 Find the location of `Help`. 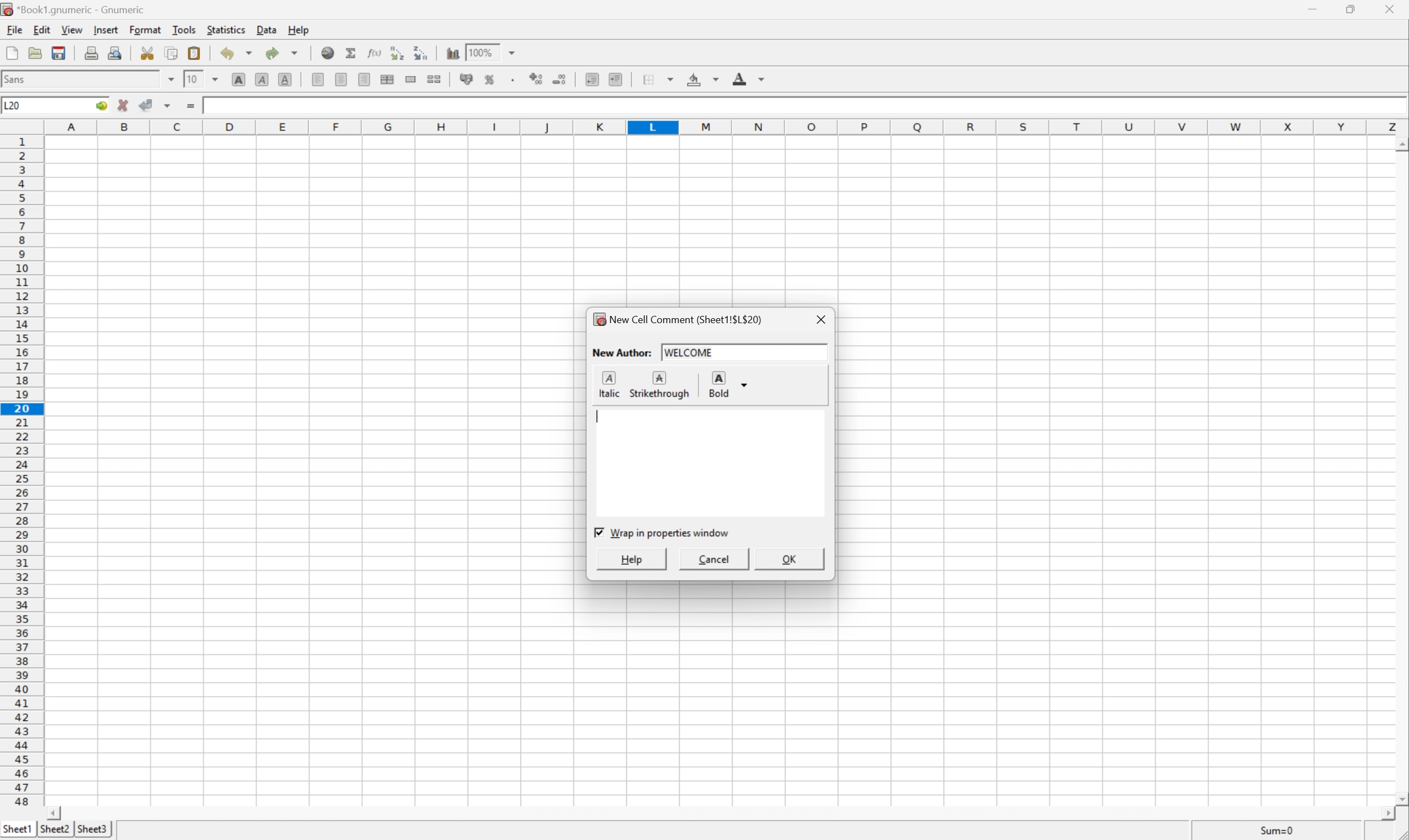

Help is located at coordinates (298, 30).